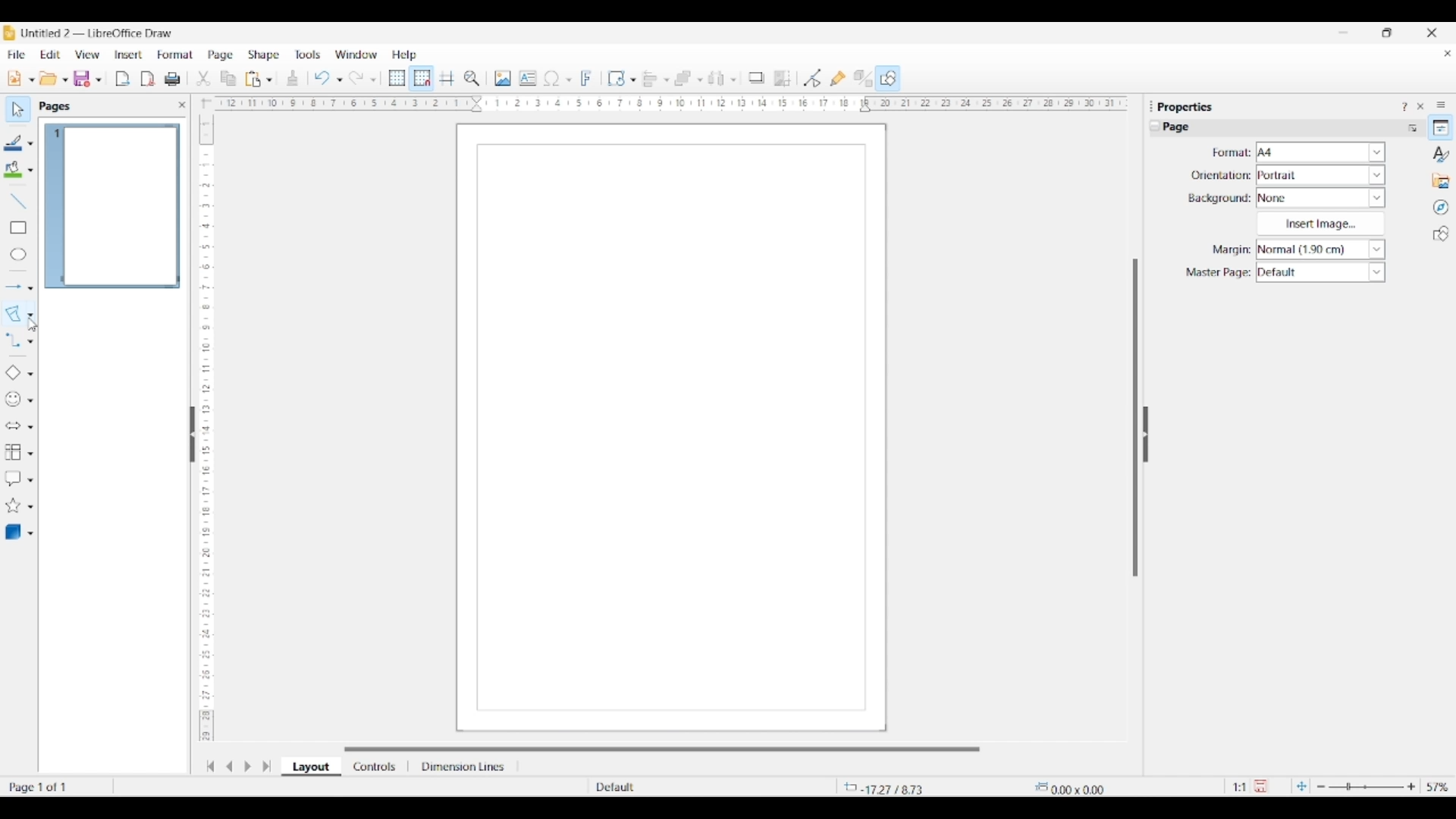 The width and height of the screenshot is (1456, 819). What do you see at coordinates (311, 767) in the screenshot?
I see `Layout selected` at bounding box center [311, 767].